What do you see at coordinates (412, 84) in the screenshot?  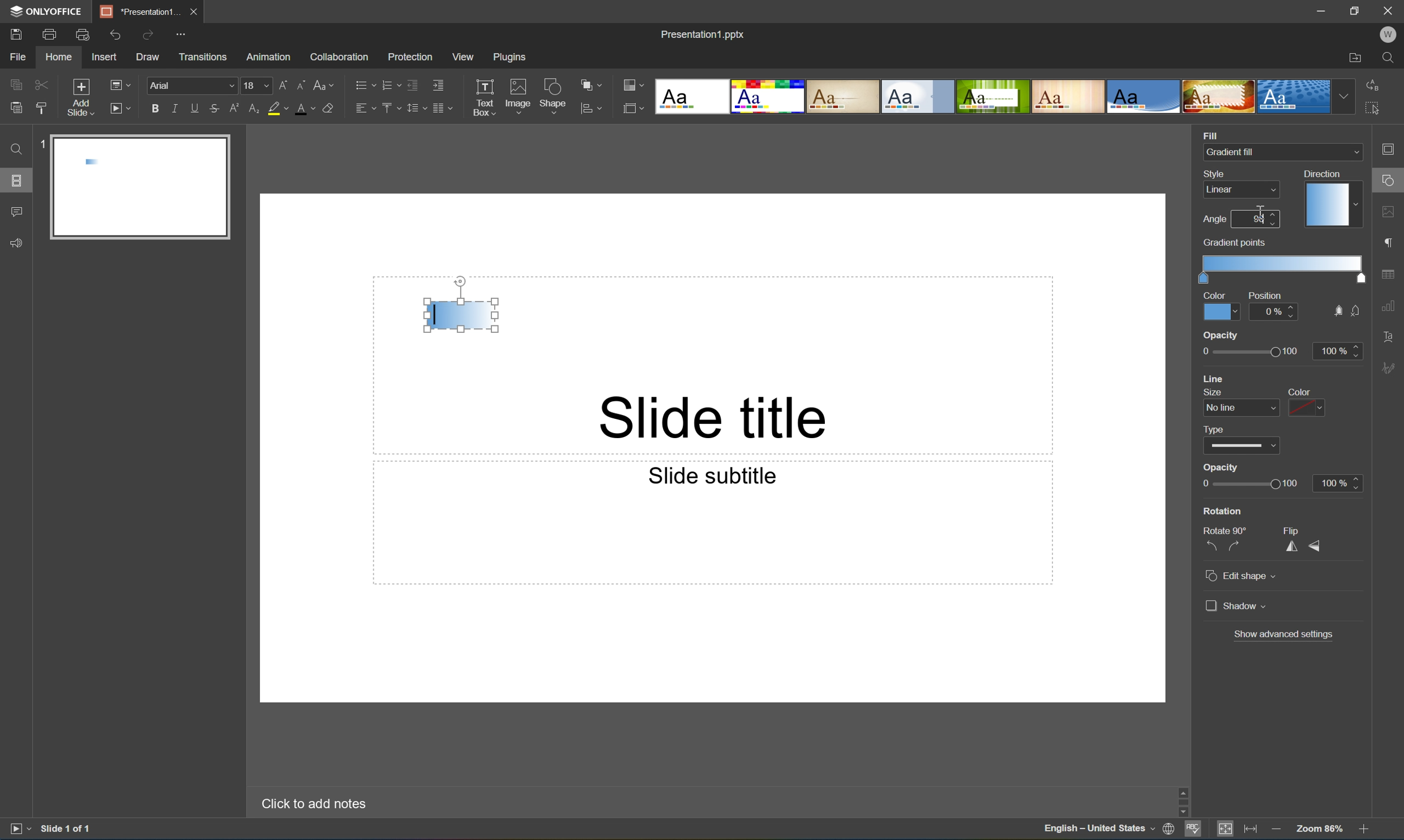 I see `Decrease indent` at bounding box center [412, 84].